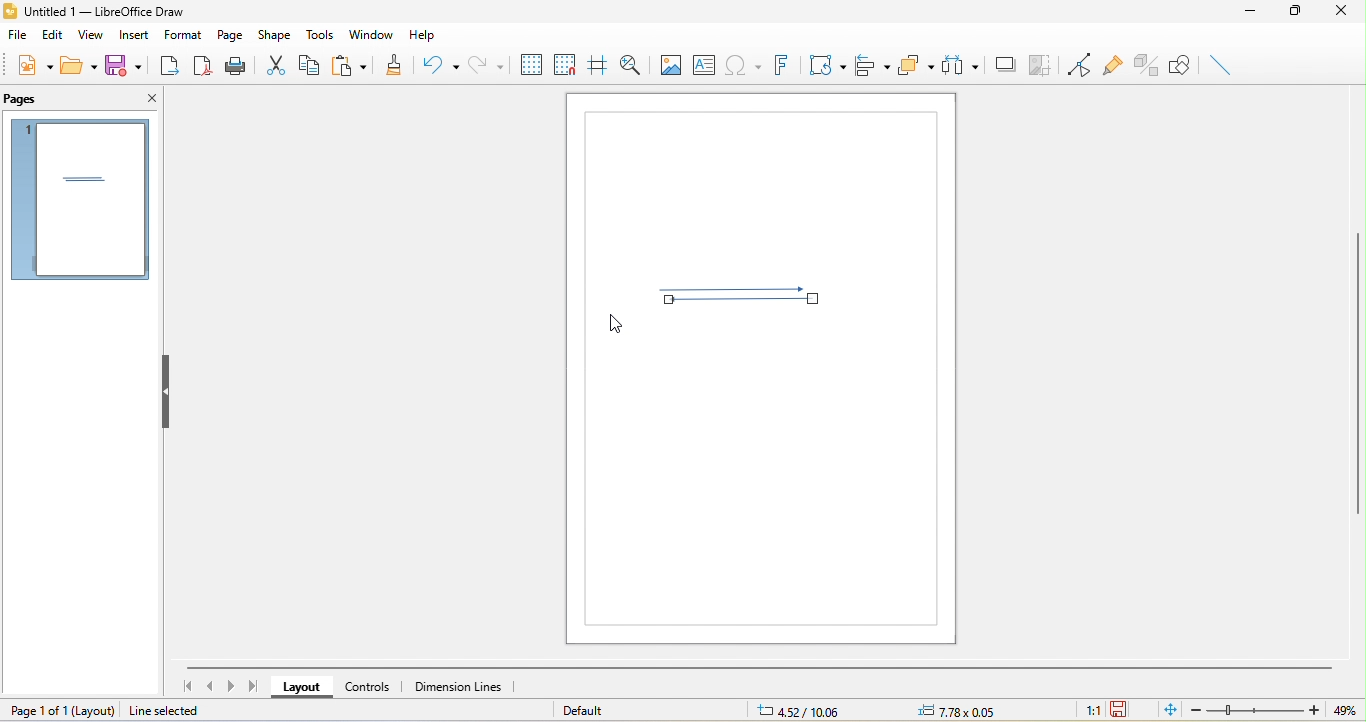  What do you see at coordinates (596, 61) in the screenshot?
I see `helping while moving` at bounding box center [596, 61].